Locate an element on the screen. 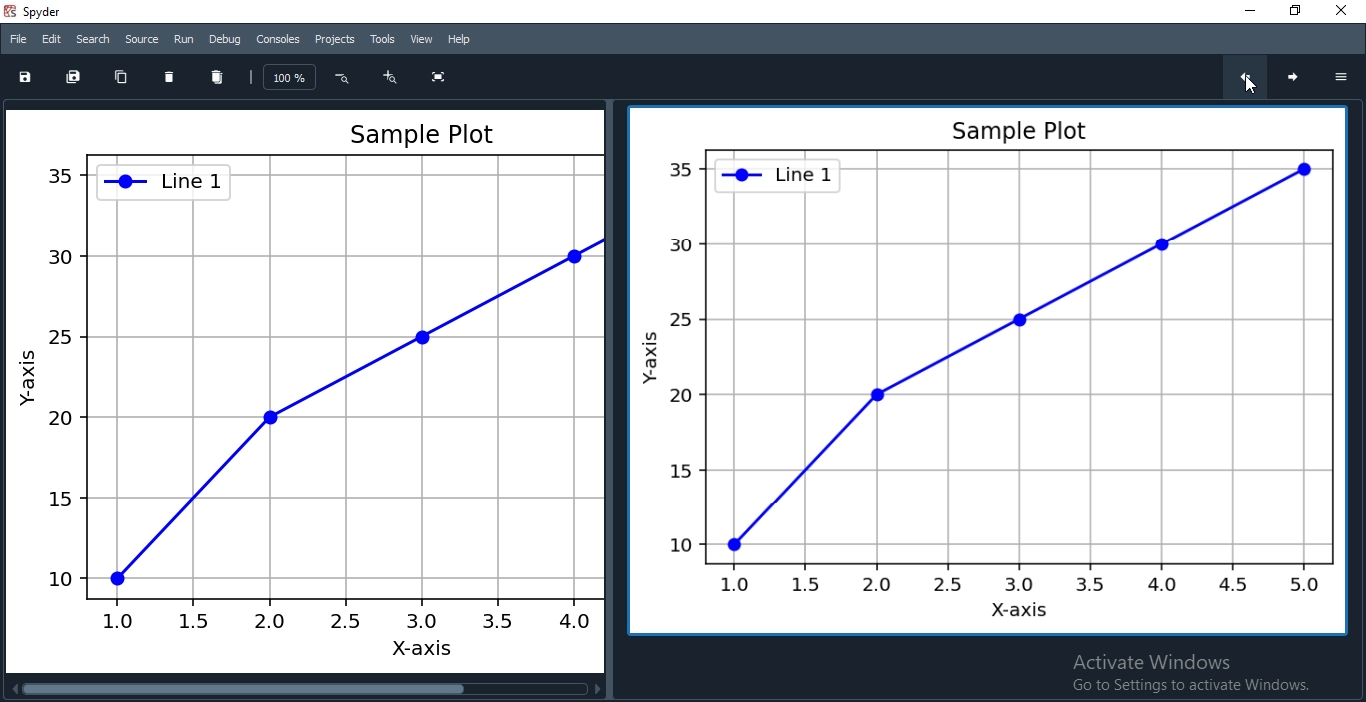 This screenshot has width=1366, height=702. Restore is located at coordinates (1292, 12).